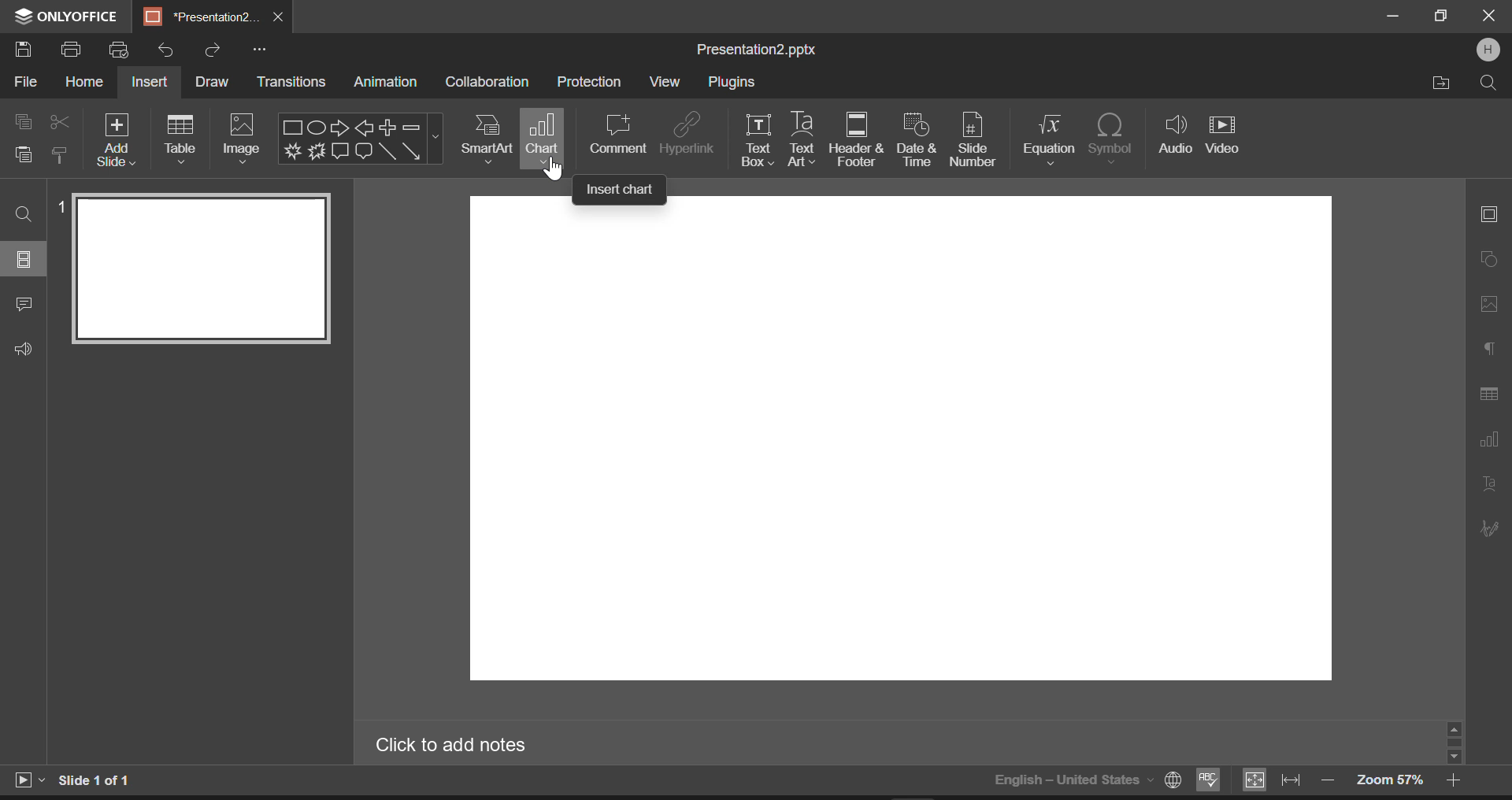 This screenshot has height=800, width=1512. What do you see at coordinates (1488, 528) in the screenshot?
I see `Signature Settings` at bounding box center [1488, 528].